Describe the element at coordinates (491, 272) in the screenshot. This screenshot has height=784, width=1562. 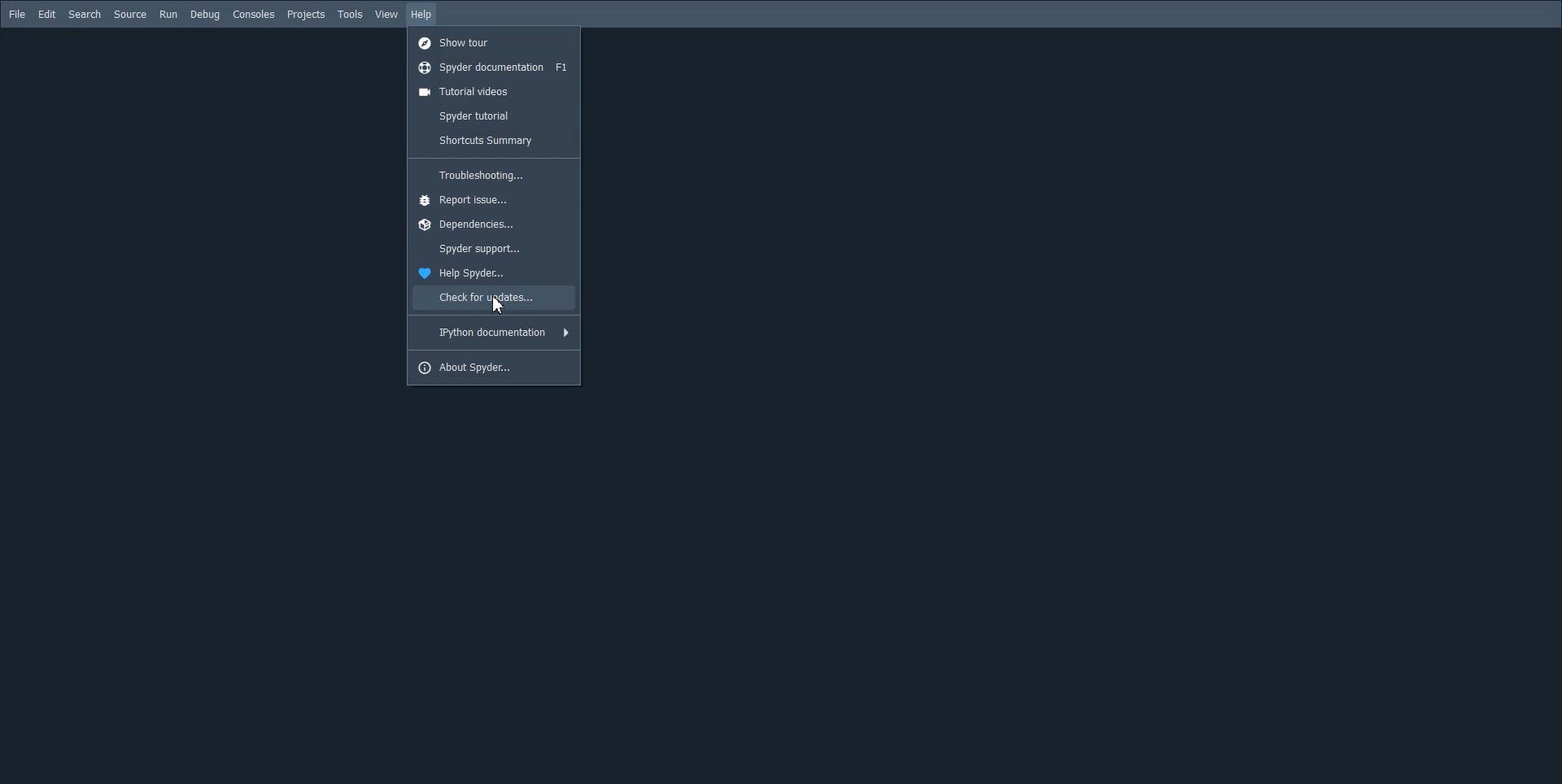
I see `Help` at that location.